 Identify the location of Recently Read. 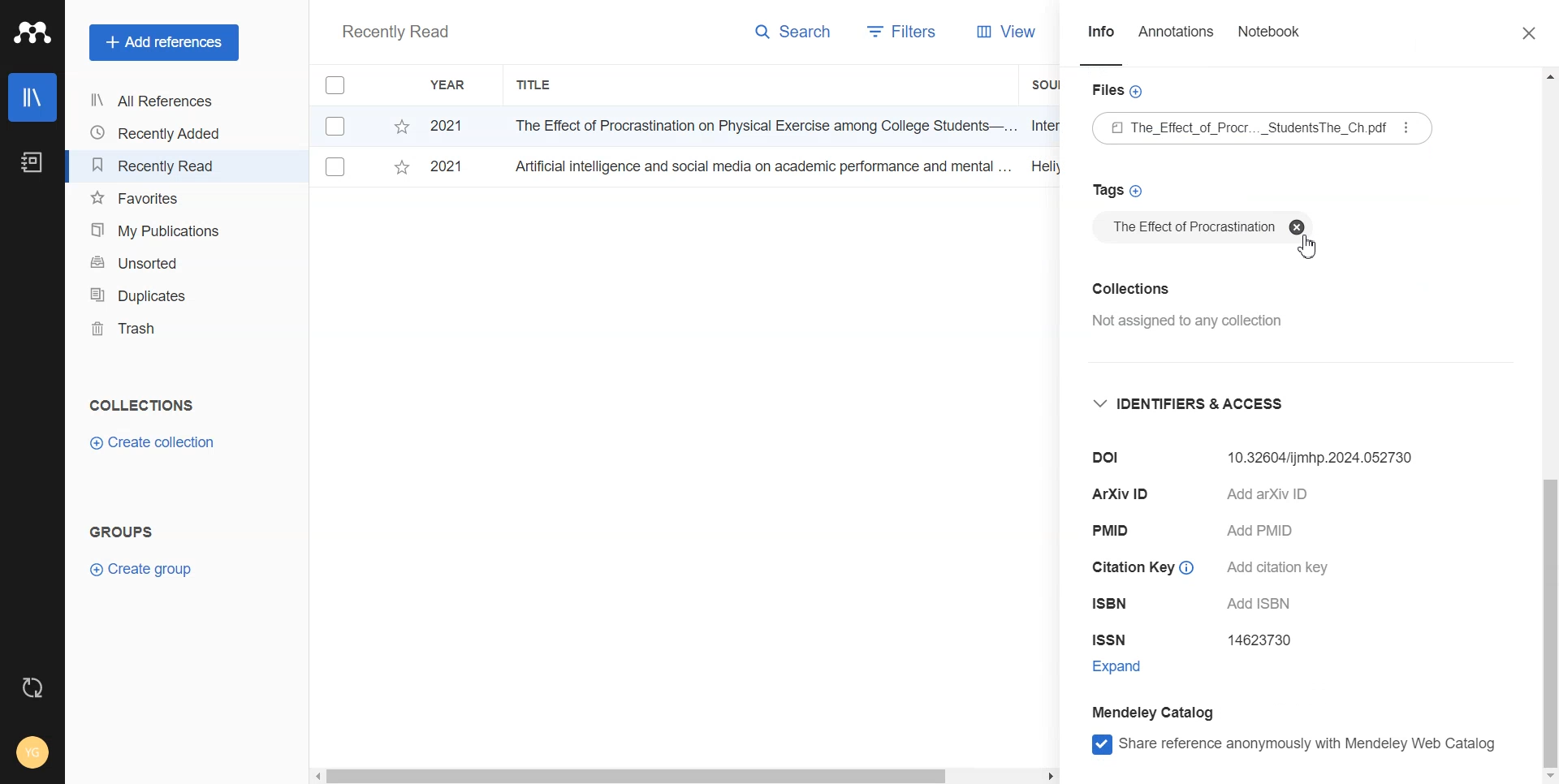
(158, 166).